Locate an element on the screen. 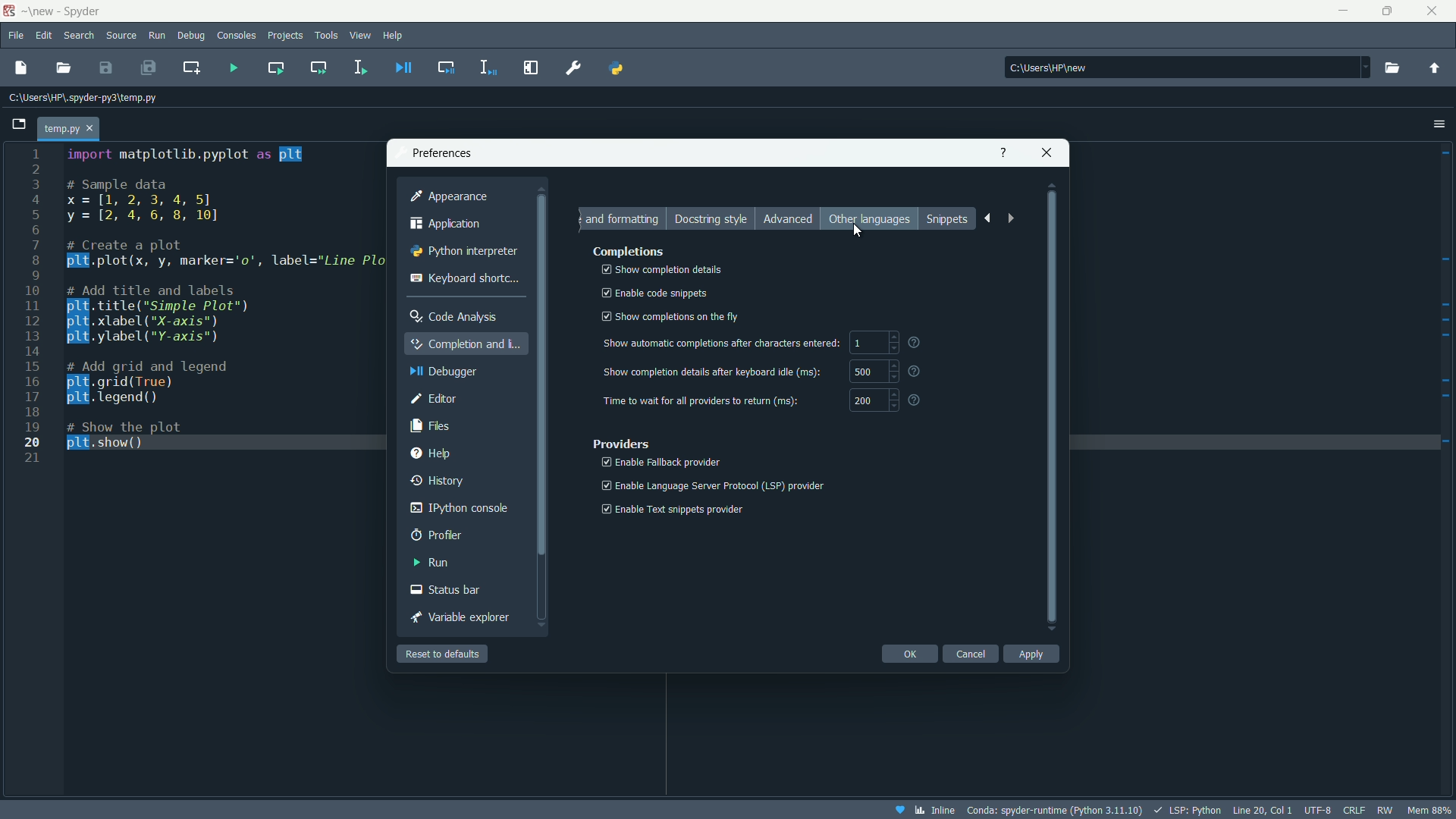 The height and width of the screenshot is (819, 1456). consoles is located at coordinates (237, 36).